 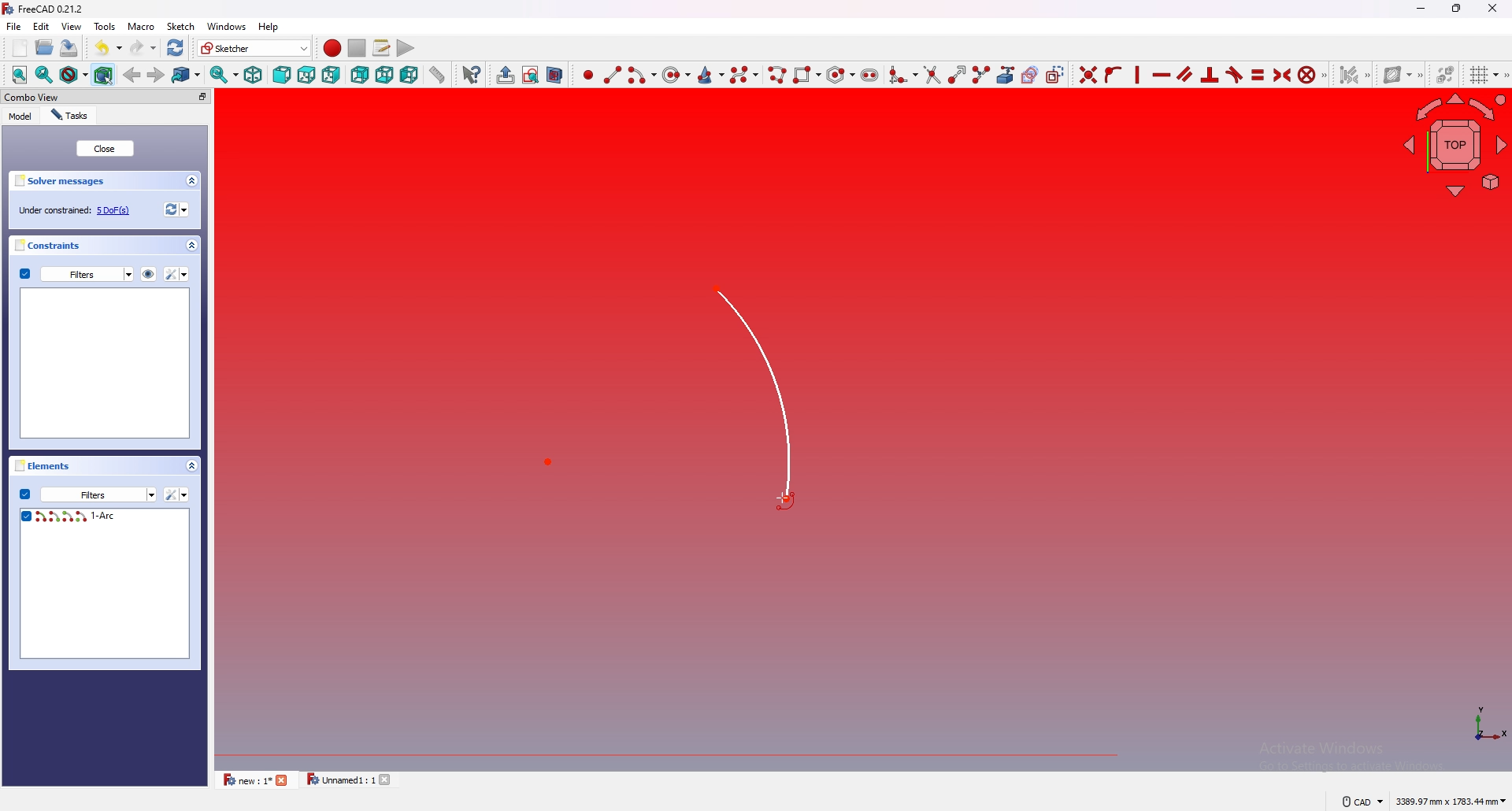 I want to click on resize, so click(x=1458, y=8).